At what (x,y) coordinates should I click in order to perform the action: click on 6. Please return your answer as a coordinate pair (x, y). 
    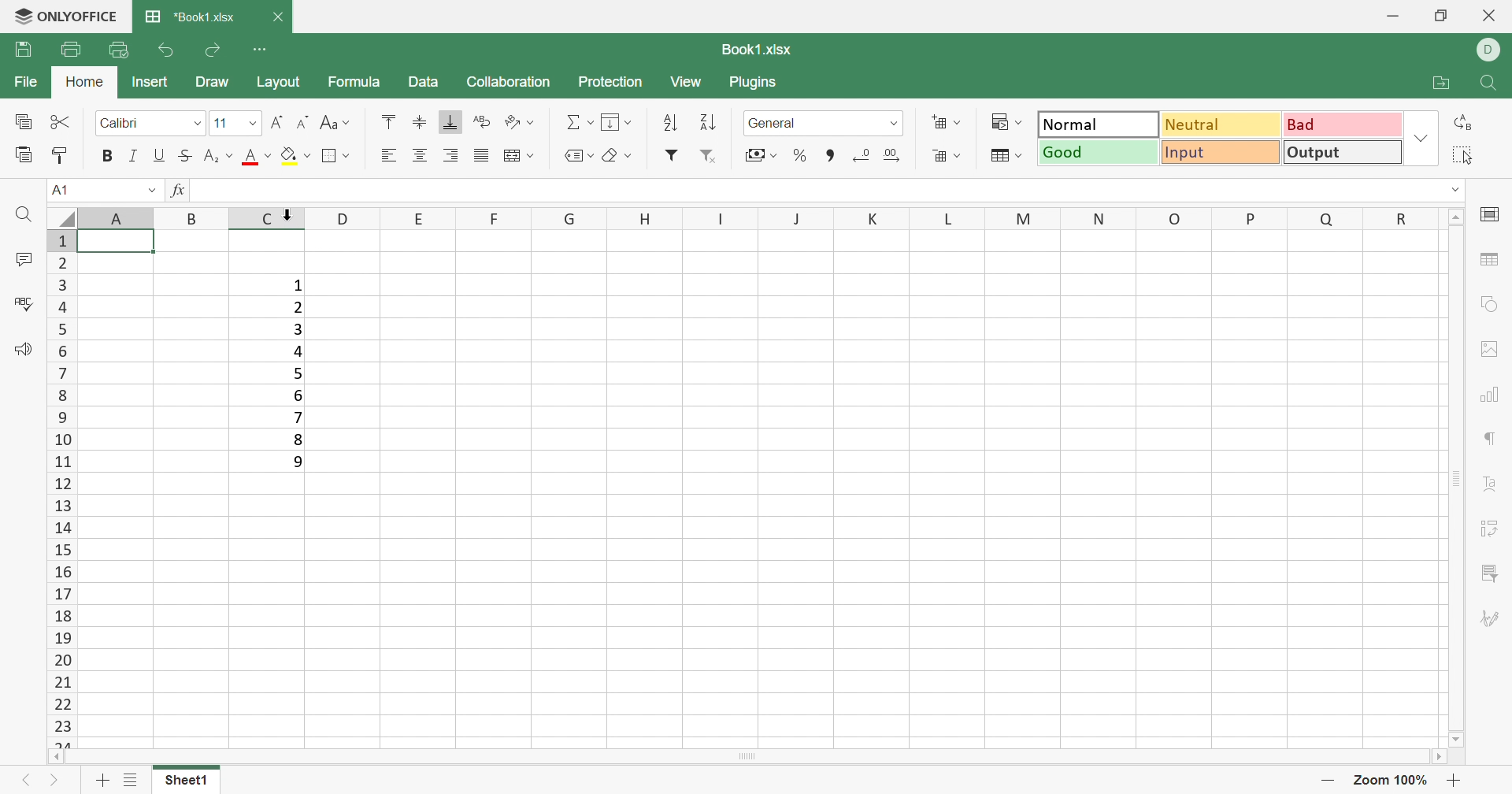
    Looking at the image, I should click on (298, 396).